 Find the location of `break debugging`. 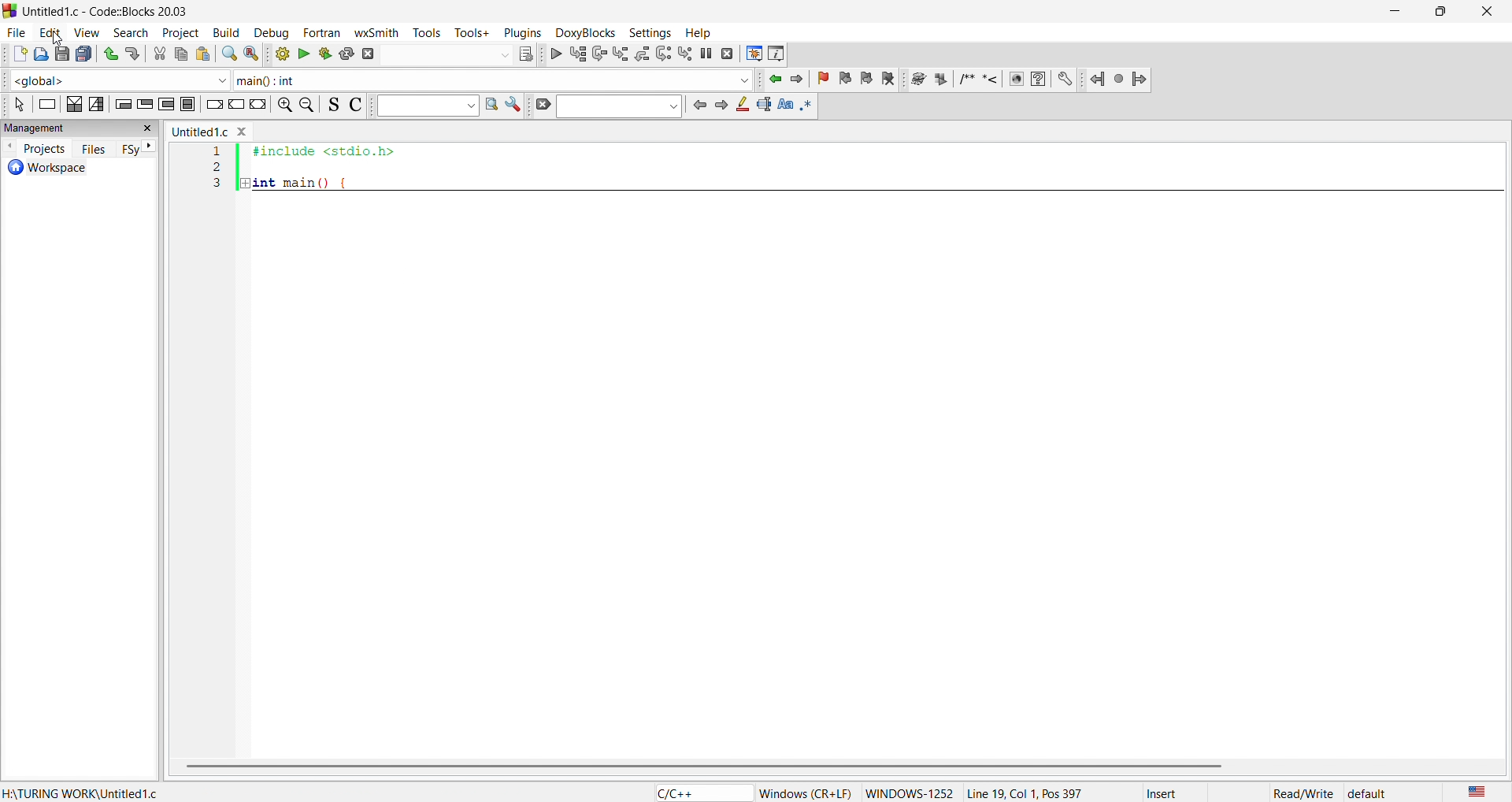

break debugging is located at coordinates (707, 54).